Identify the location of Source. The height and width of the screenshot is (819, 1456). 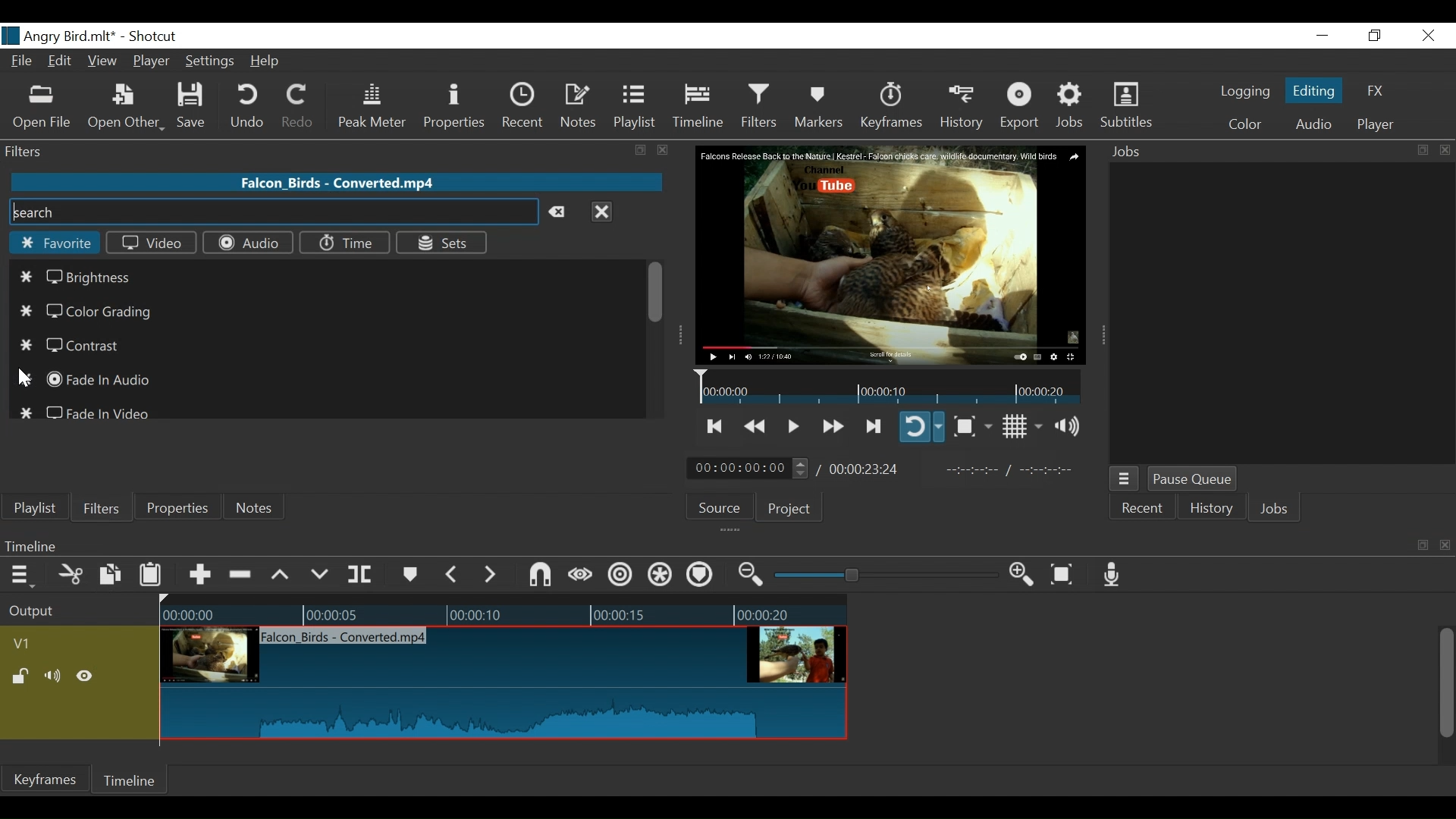
(725, 506).